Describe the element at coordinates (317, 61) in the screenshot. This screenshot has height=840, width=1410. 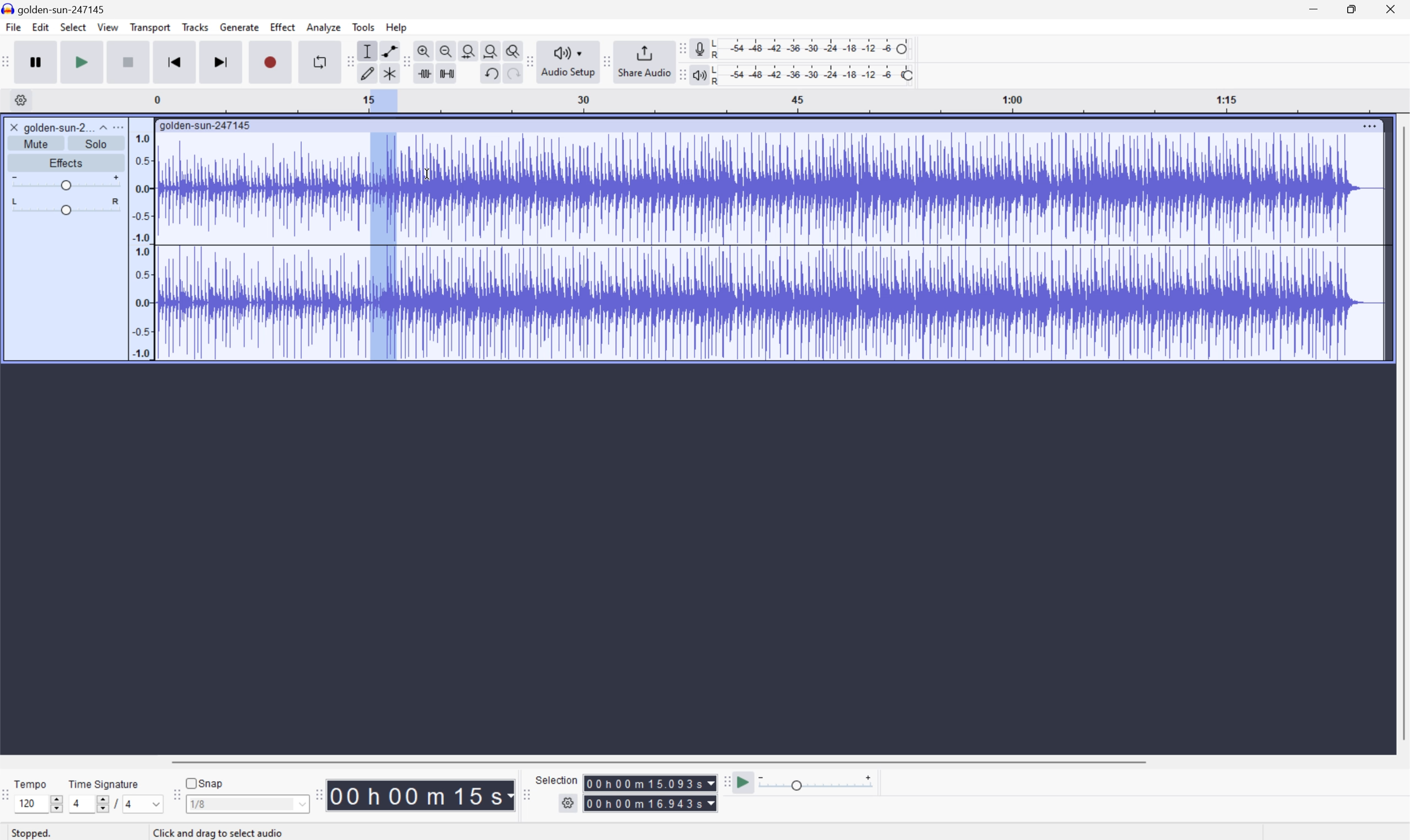
I see `Enable looping` at that location.